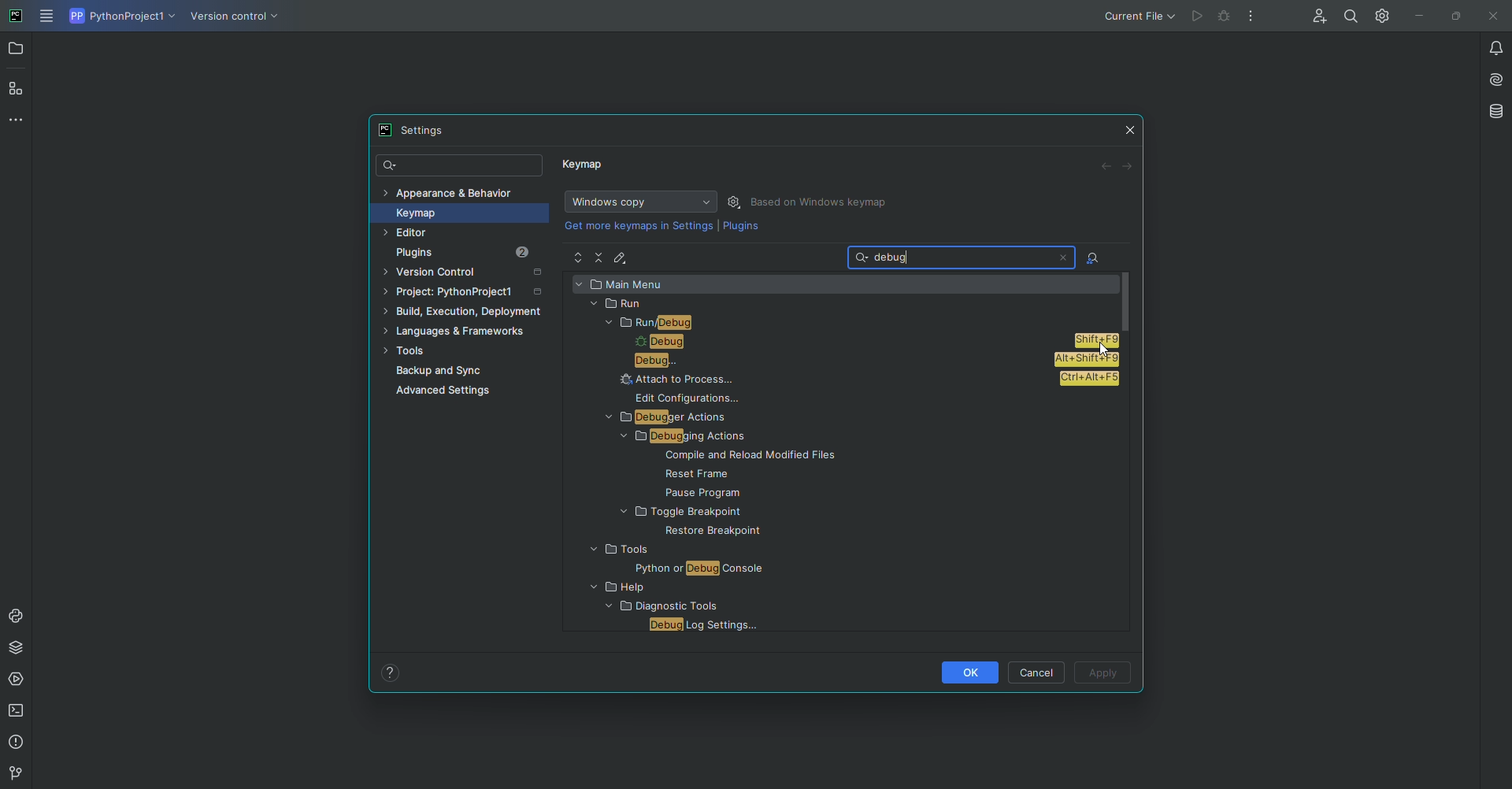 The height and width of the screenshot is (789, 1512). I want to click on OK, so click(968, 672).